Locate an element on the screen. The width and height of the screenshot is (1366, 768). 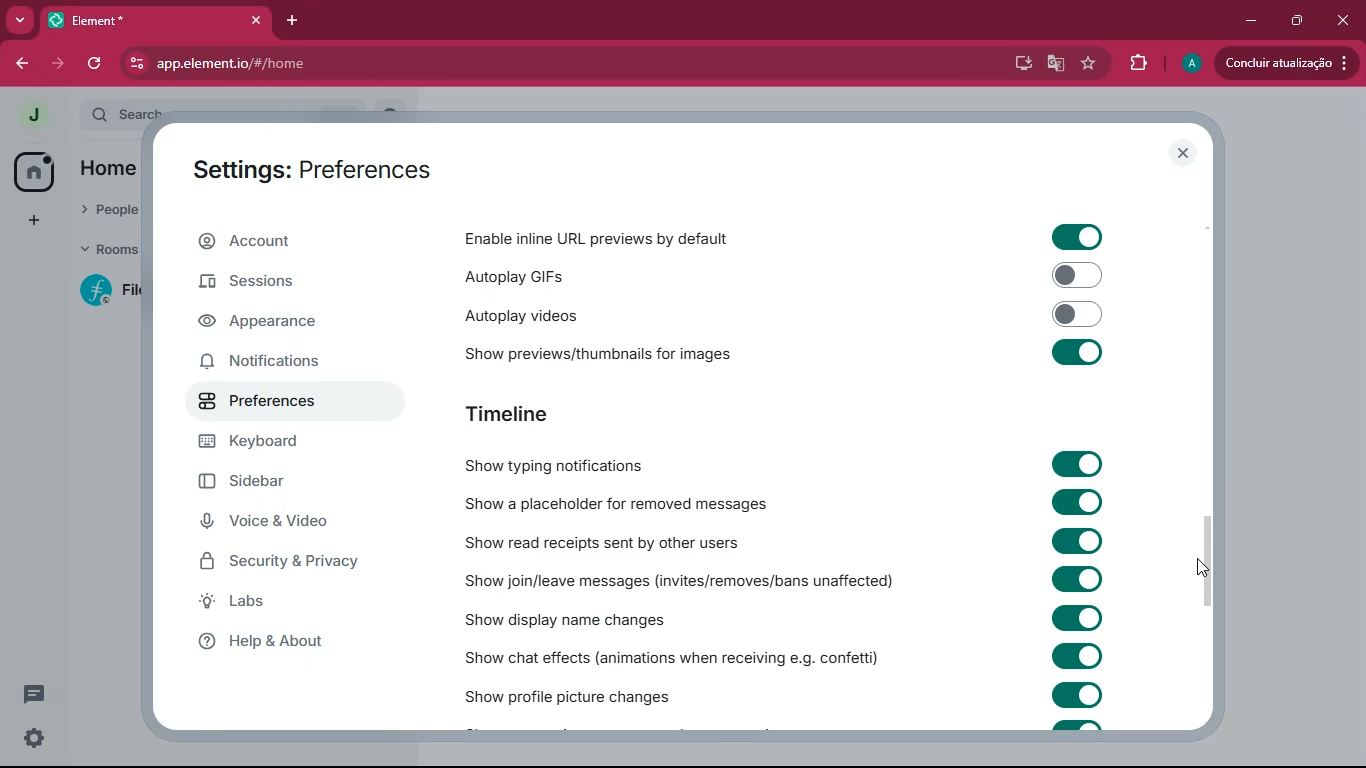
toggle on/off is located at coordinates (1078, 541).